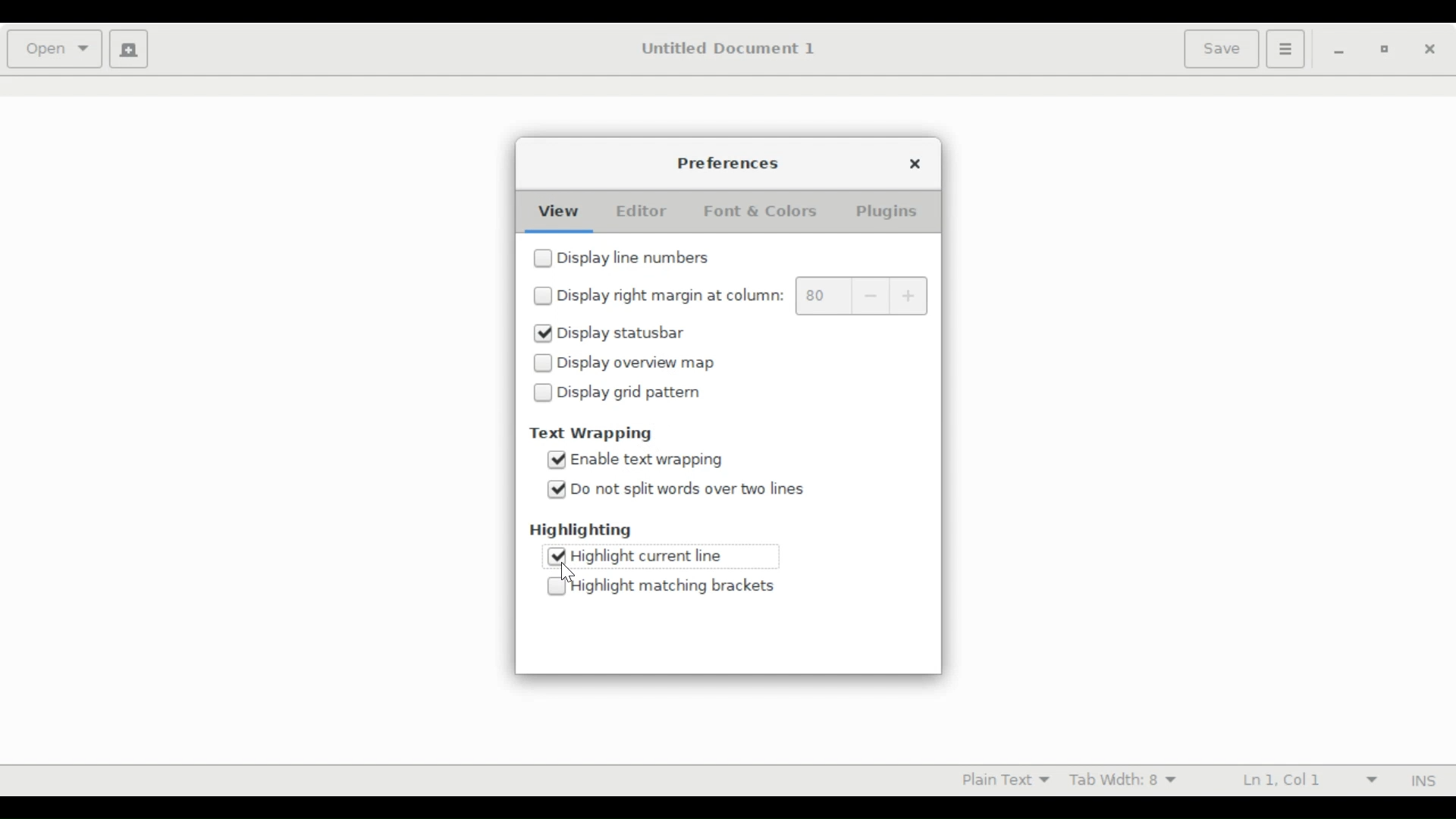  I want to click on Editor, so click(643, 213).